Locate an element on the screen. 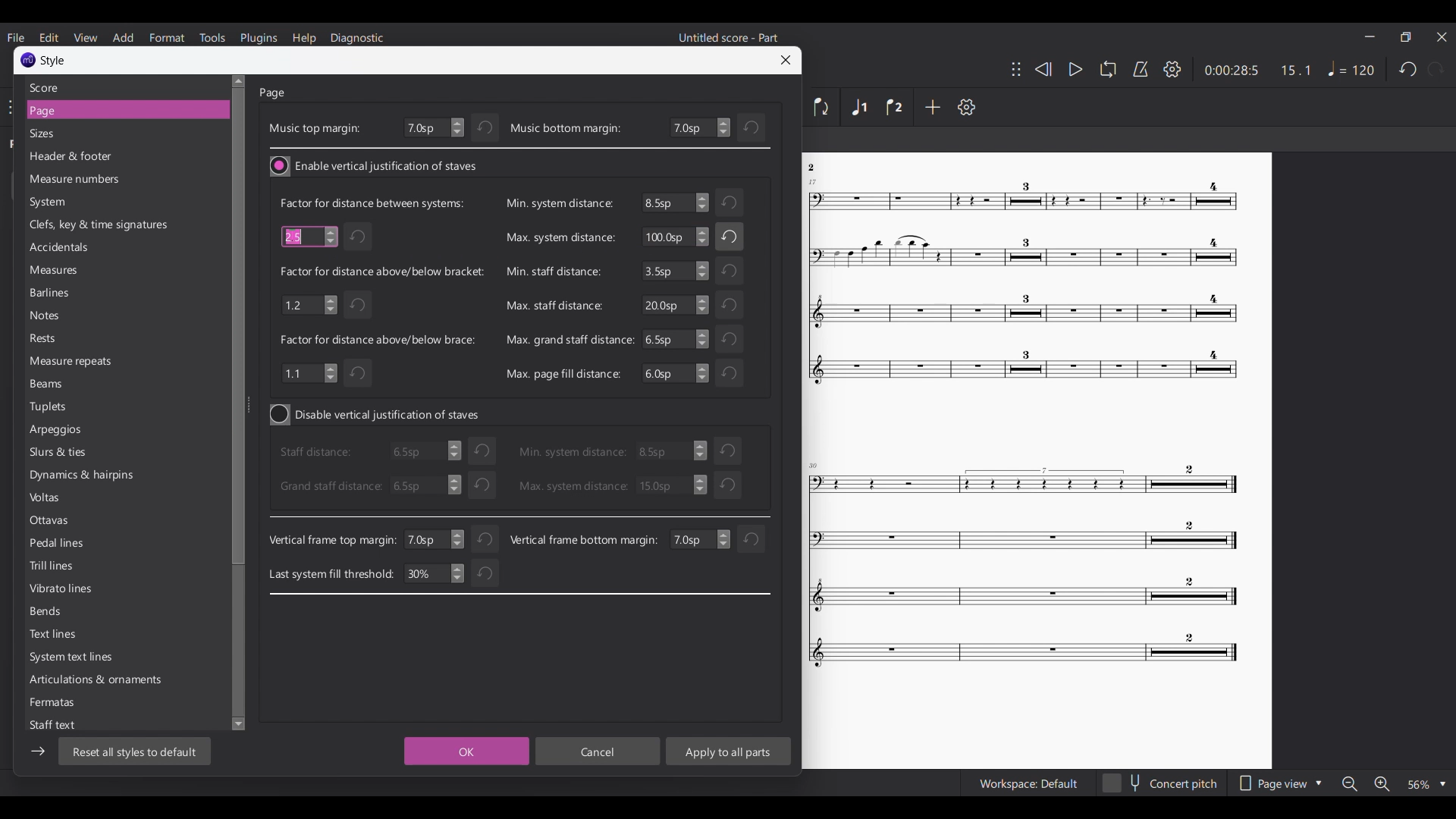 The width and height of the screenshot is (1456, 819). Vibrato lines is located at coordinates (82, 591).